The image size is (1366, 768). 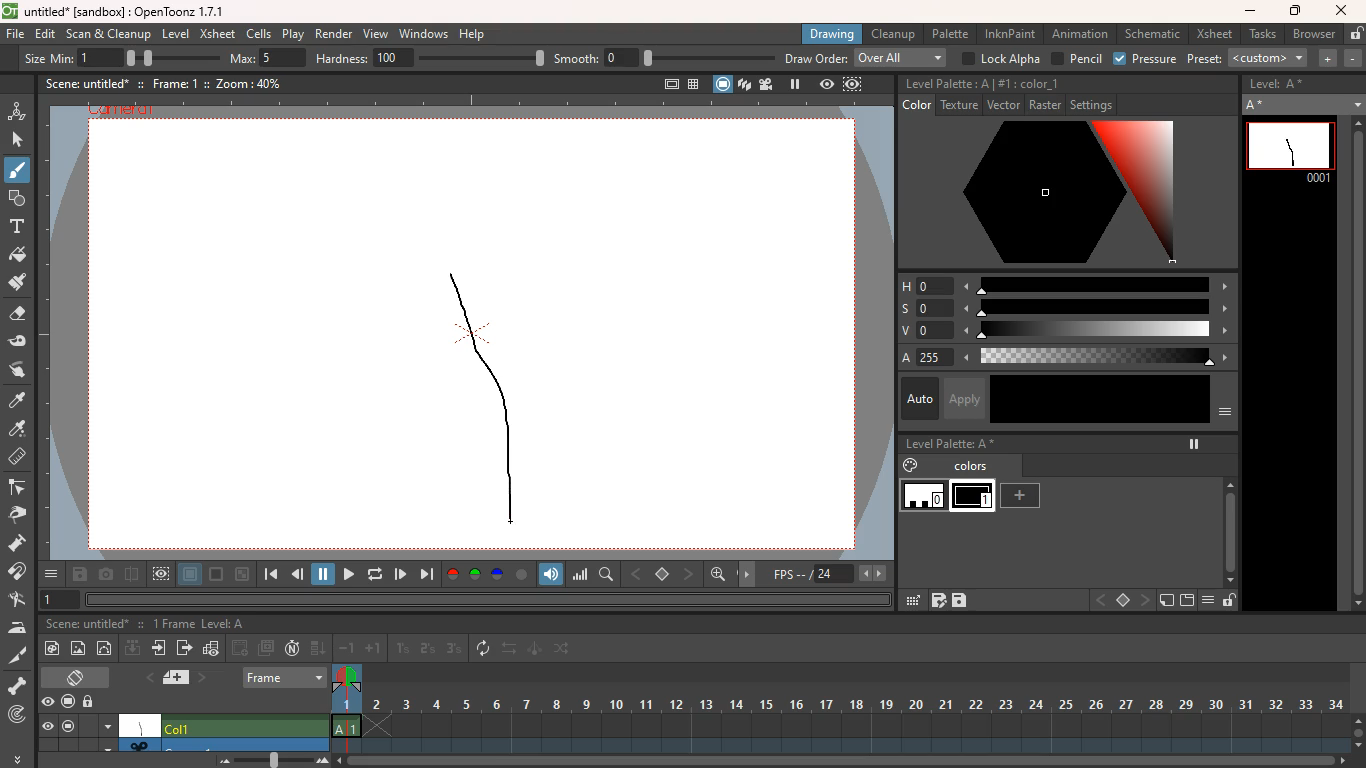 I want to click on raster, so click(x=1045, y=106).